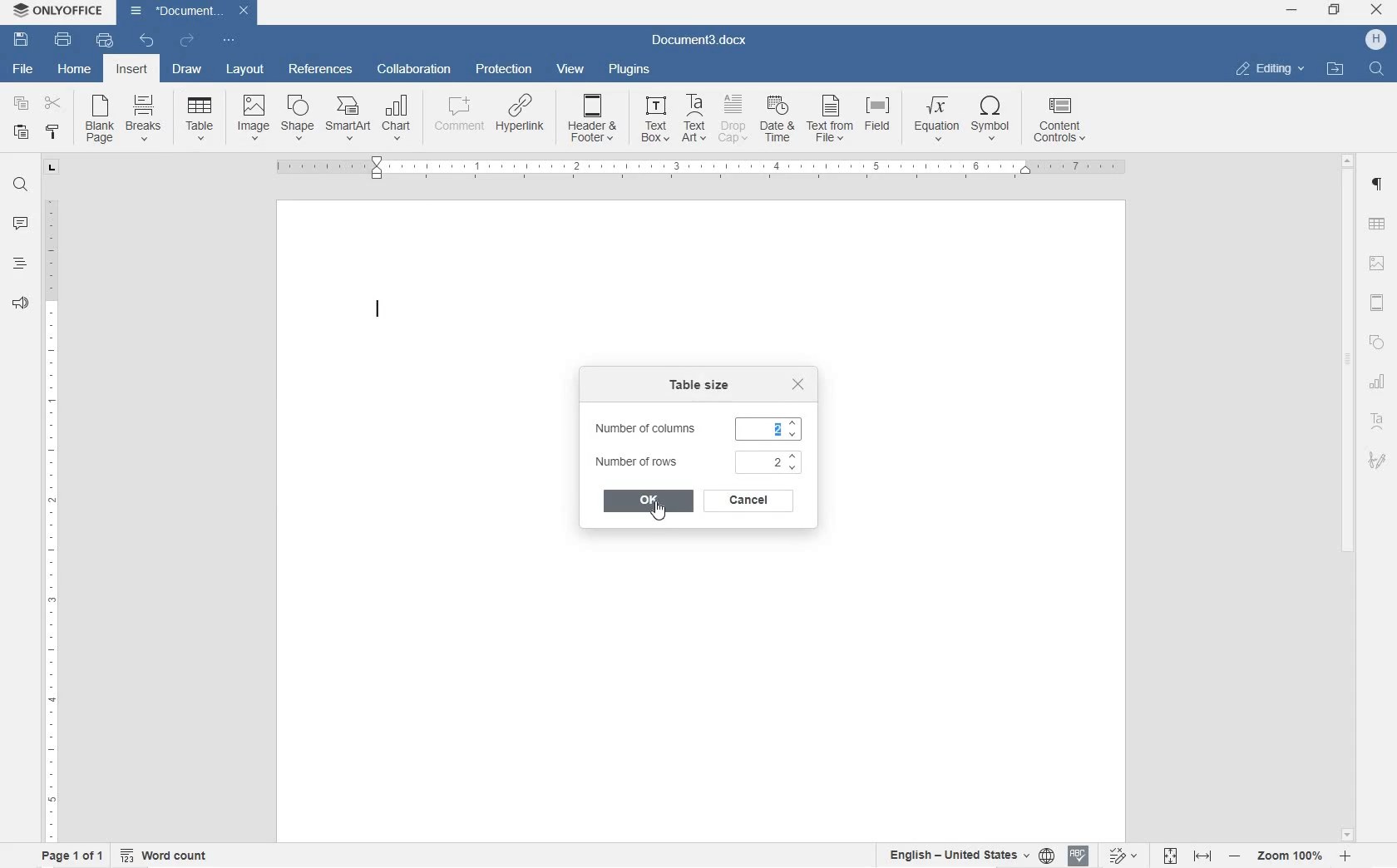  I want to click on COPY, so click(19, 103).